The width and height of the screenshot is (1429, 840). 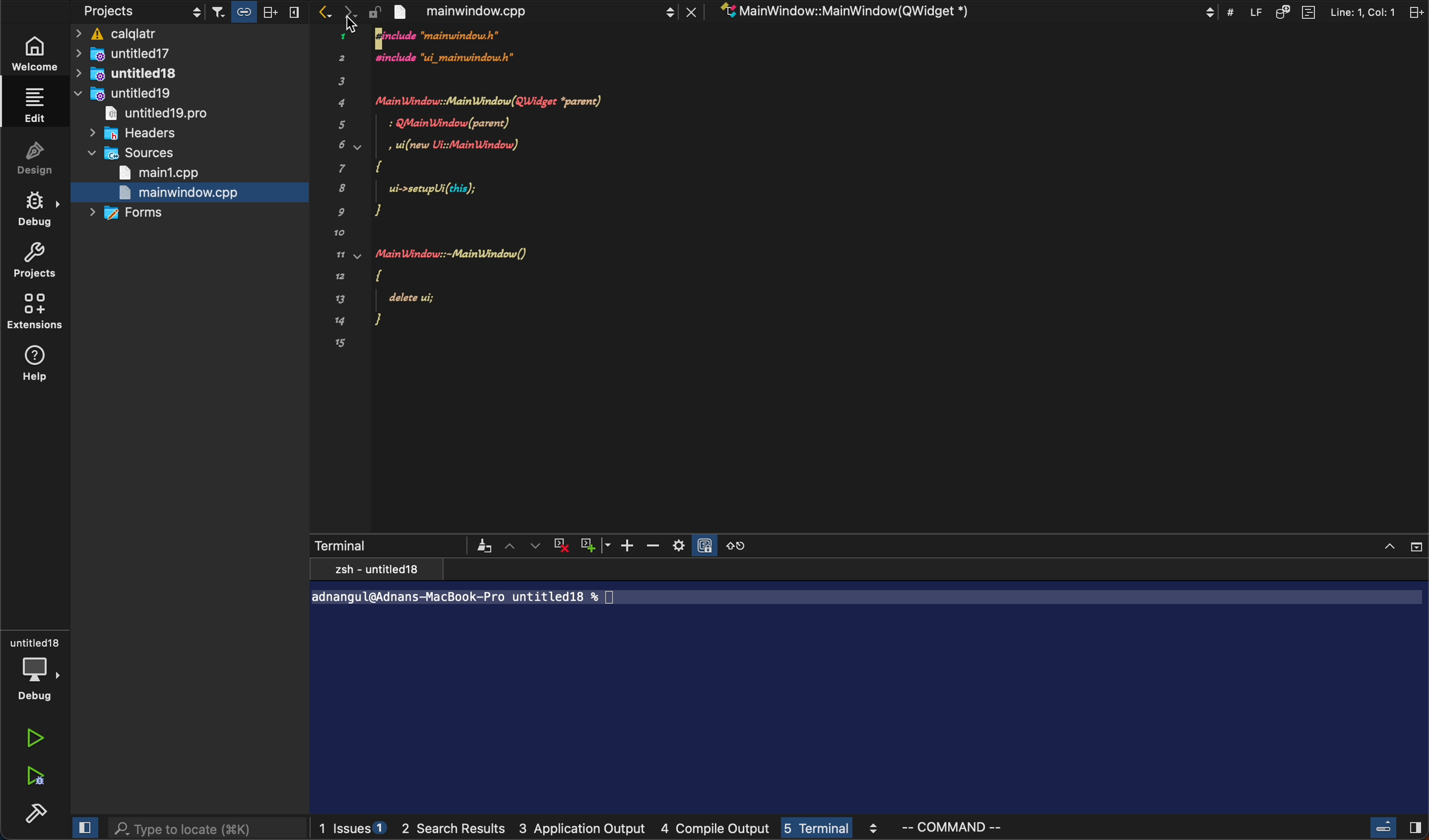 I want to click on Add Terminal, so click(x=588, y=546).